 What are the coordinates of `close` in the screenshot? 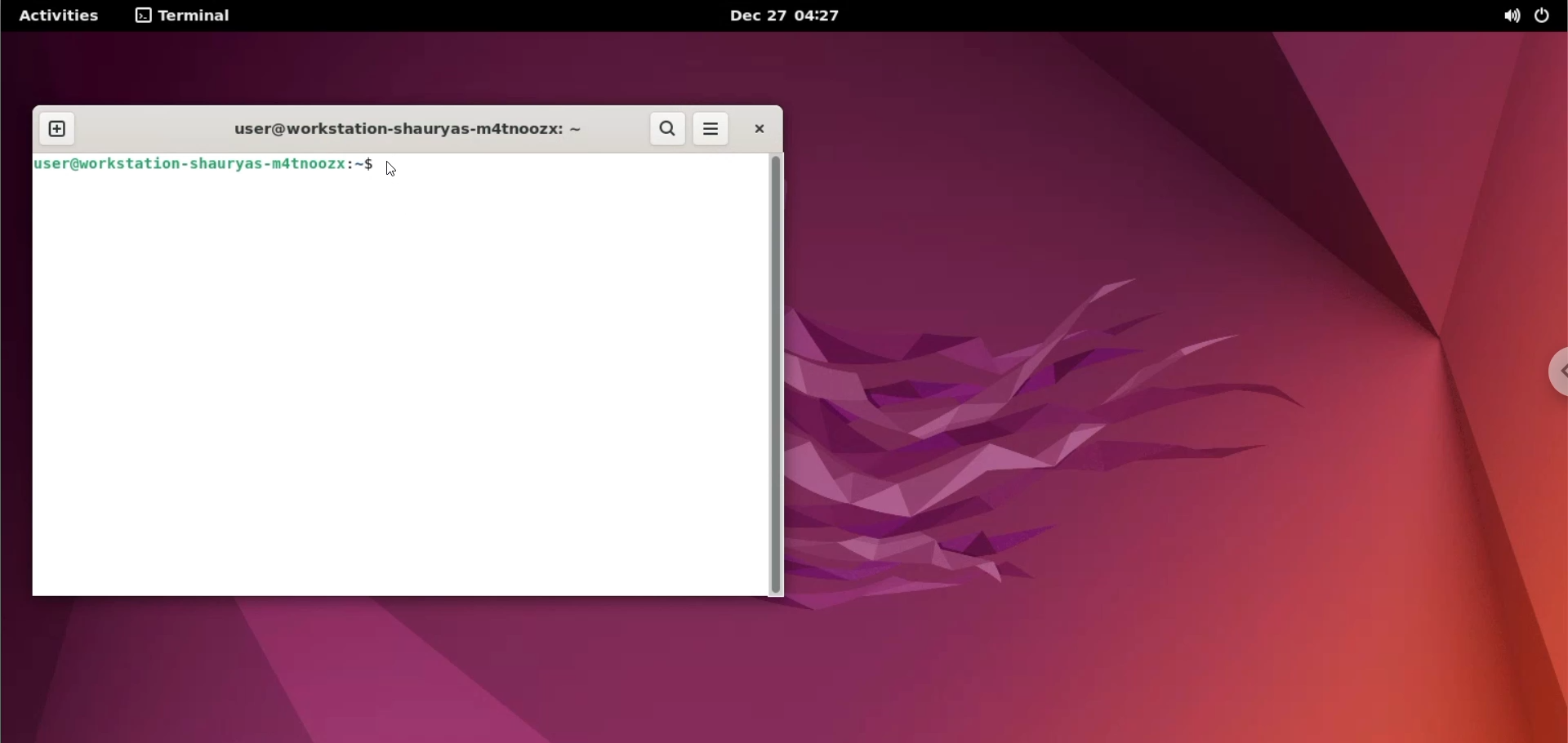 It's located at (753, 128).